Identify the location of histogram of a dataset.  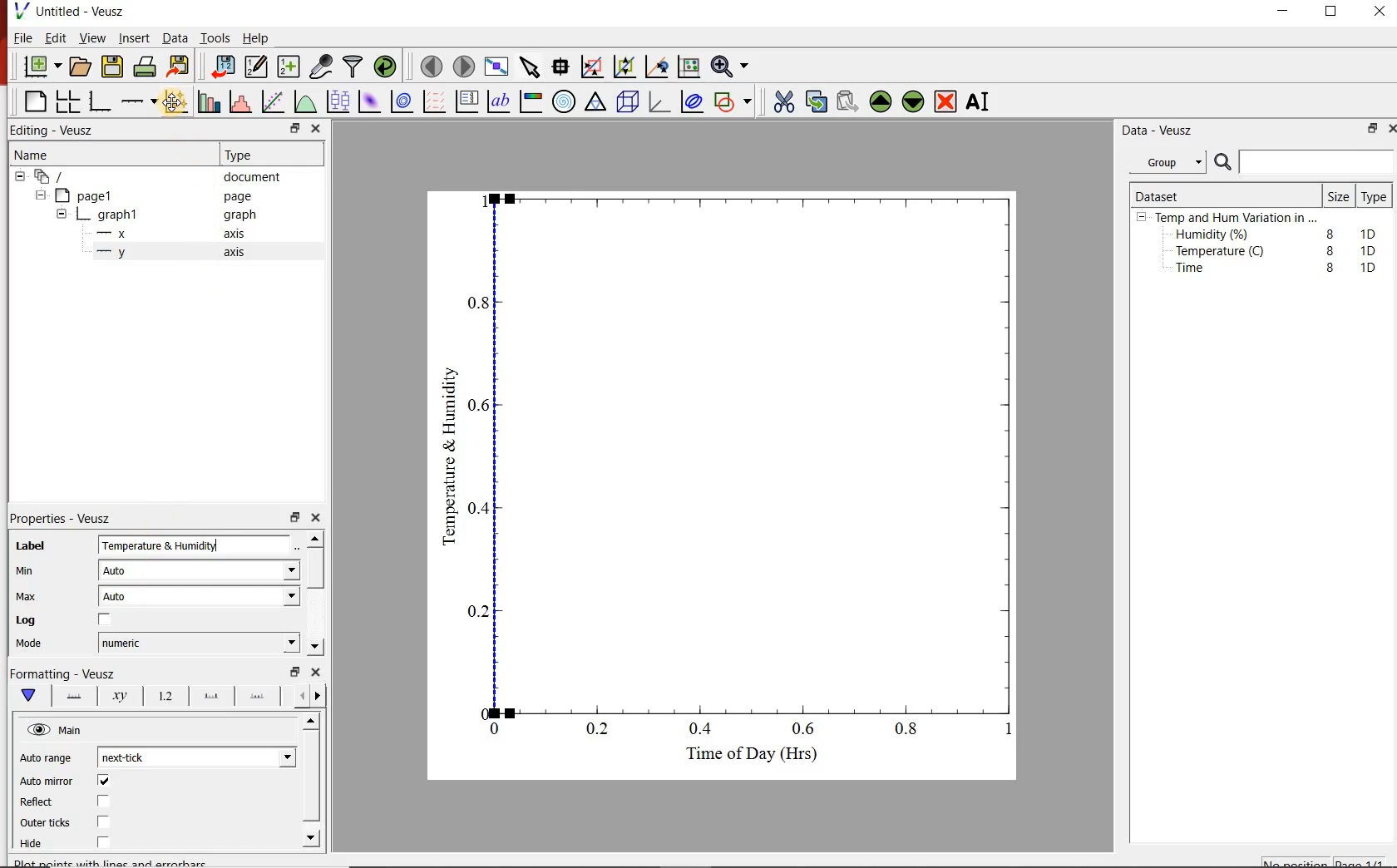
(243, 101).